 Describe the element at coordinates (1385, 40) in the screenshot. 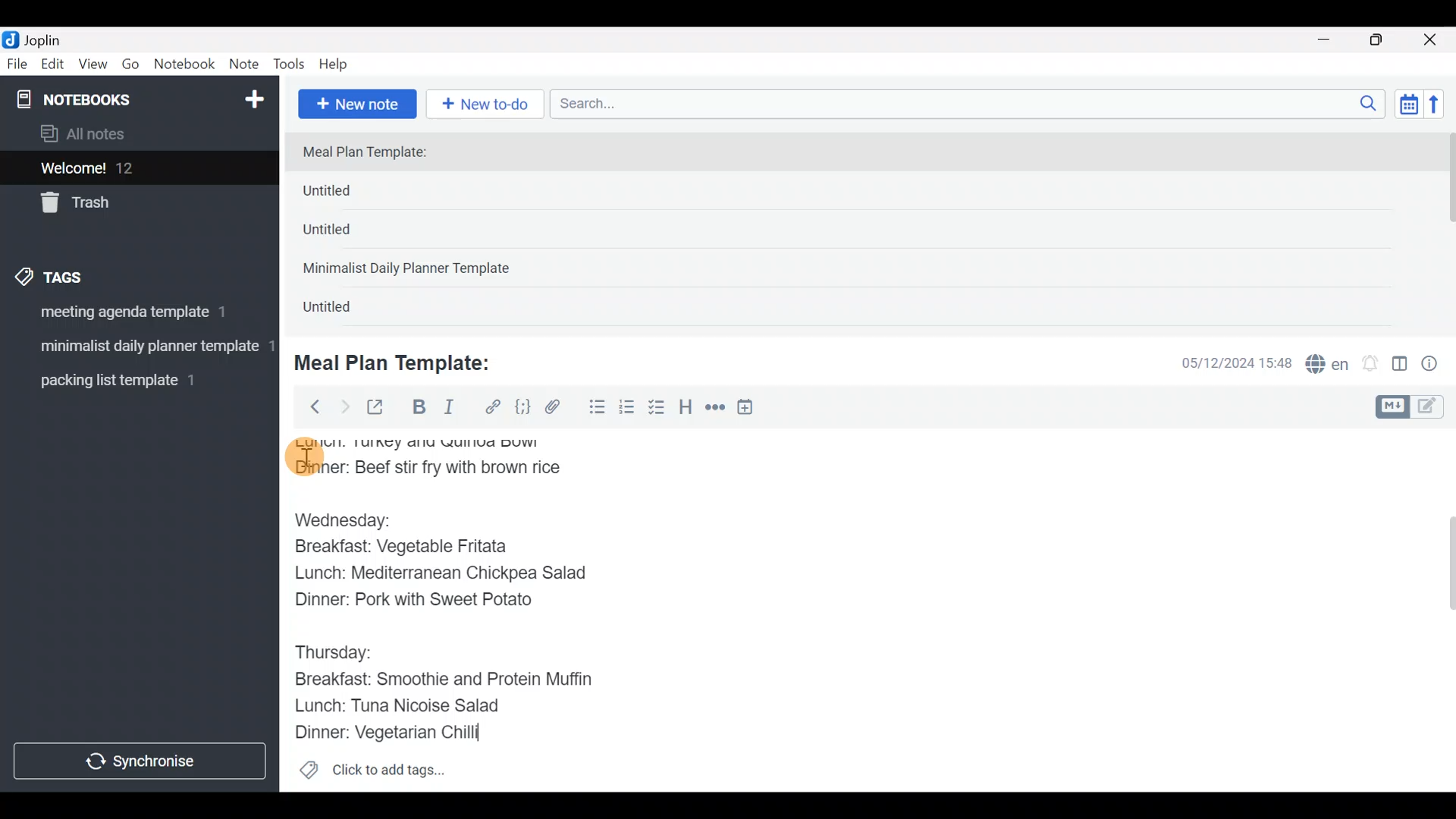

I see `Maximize` at that location.